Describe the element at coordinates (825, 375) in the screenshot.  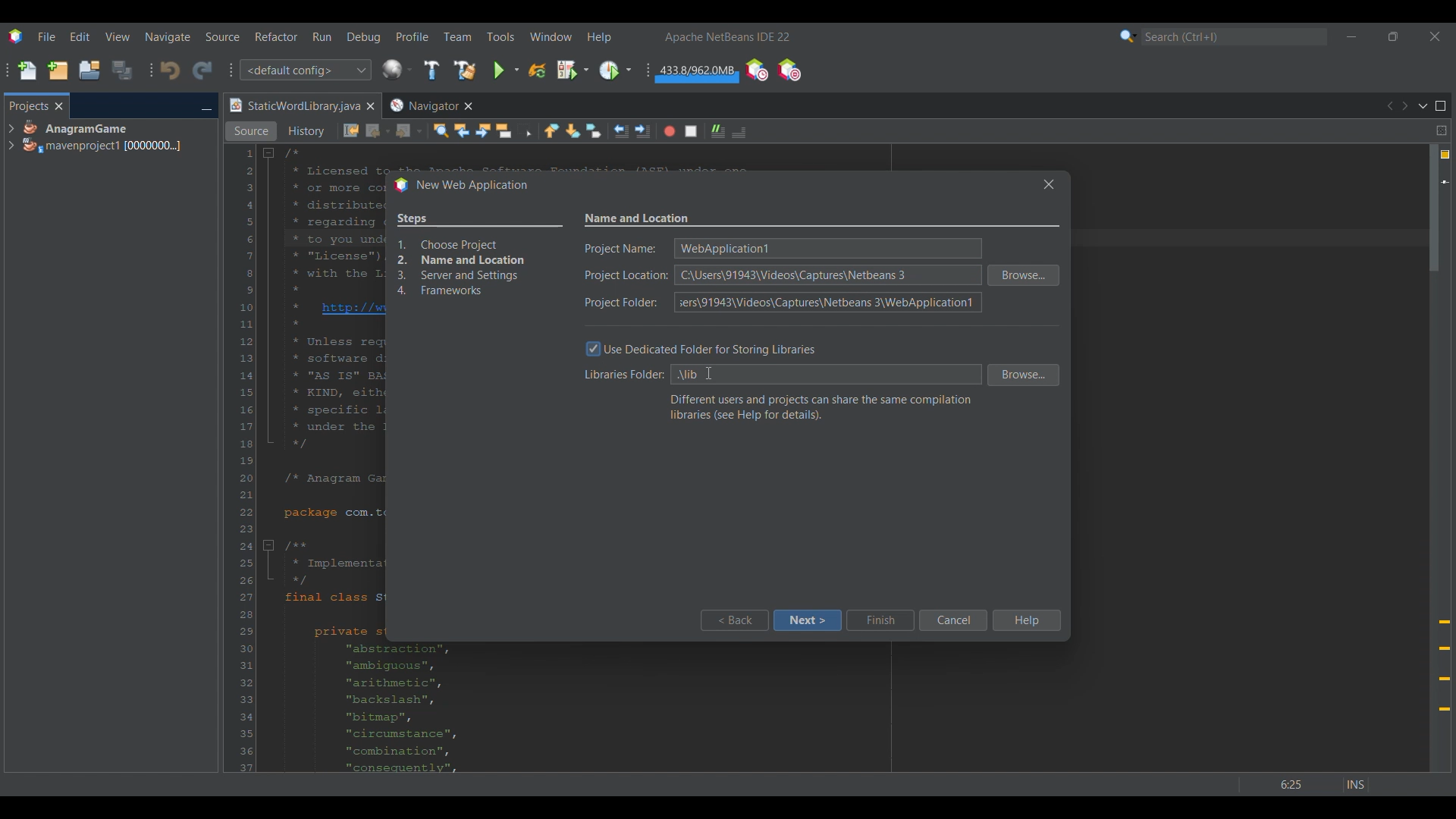
I see `Text box` at that location.